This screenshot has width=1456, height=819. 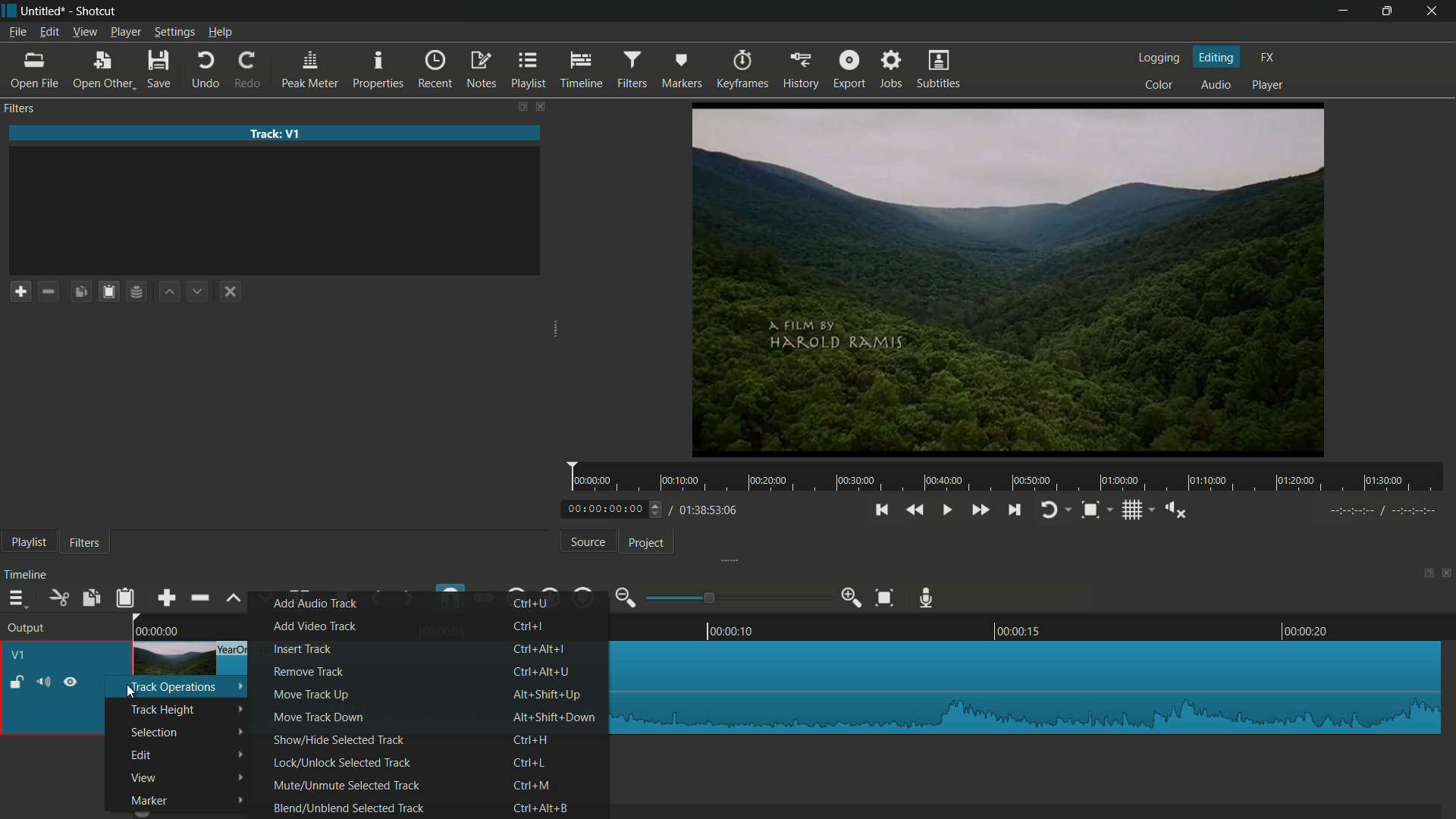 I want to click on filters, so click(x=88, y=542).